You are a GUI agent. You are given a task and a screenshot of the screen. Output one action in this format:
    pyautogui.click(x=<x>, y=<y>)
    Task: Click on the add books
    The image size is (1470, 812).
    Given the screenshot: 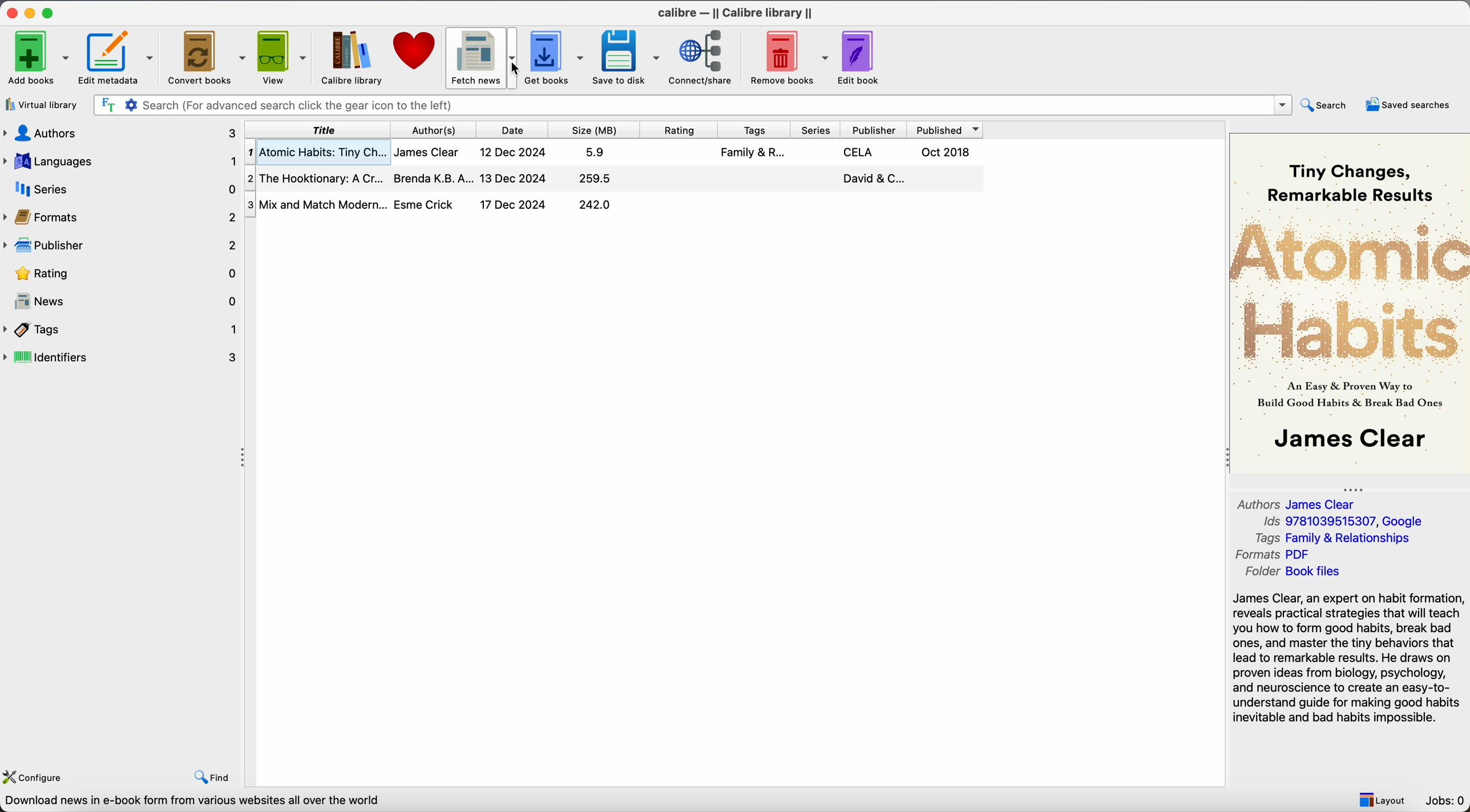 What is the action you would take?
    pyautogui.click(x=35, y=56)
    